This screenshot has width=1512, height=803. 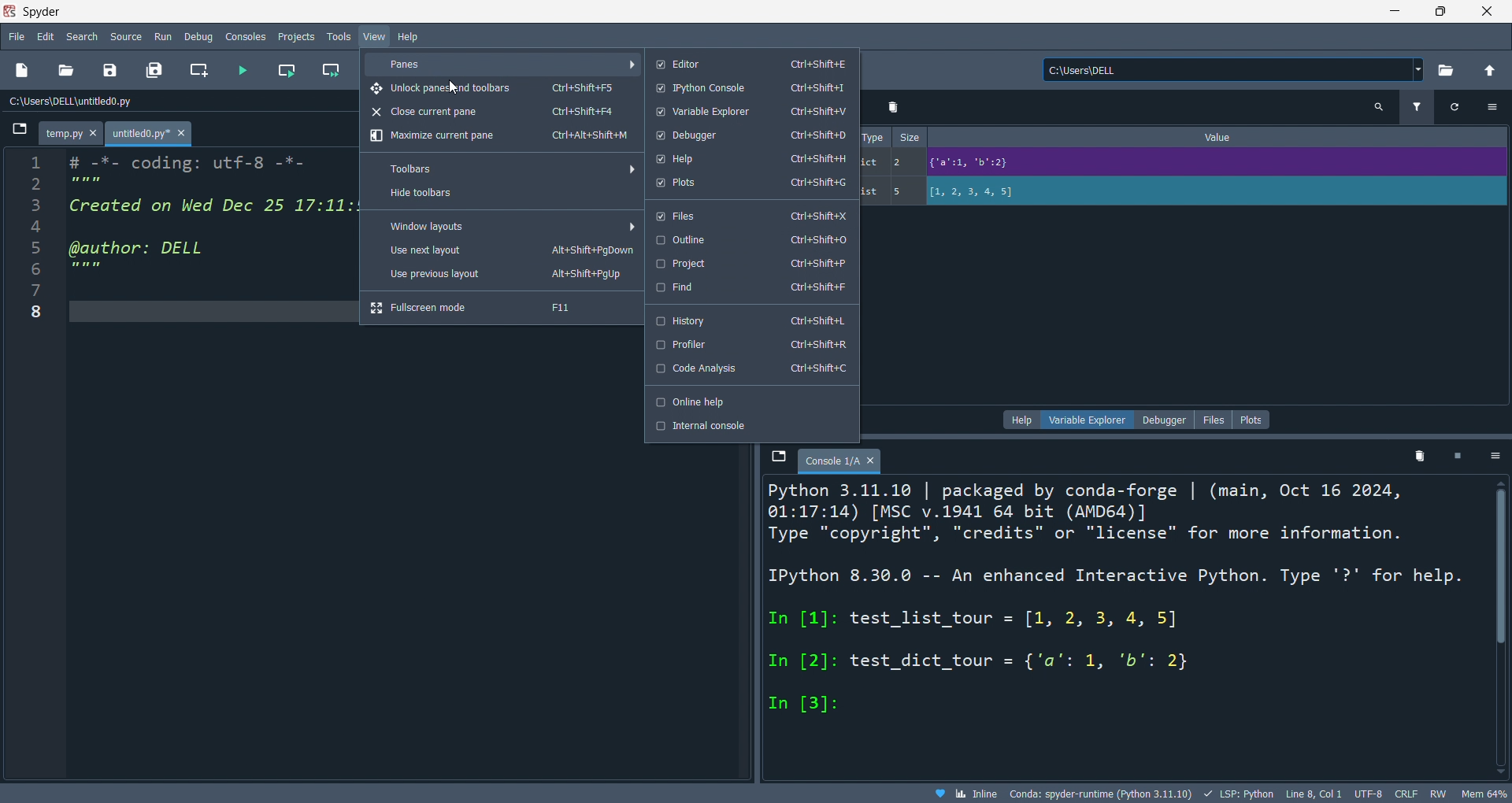 I want to click on windows layout, so click(x=507, y=225).